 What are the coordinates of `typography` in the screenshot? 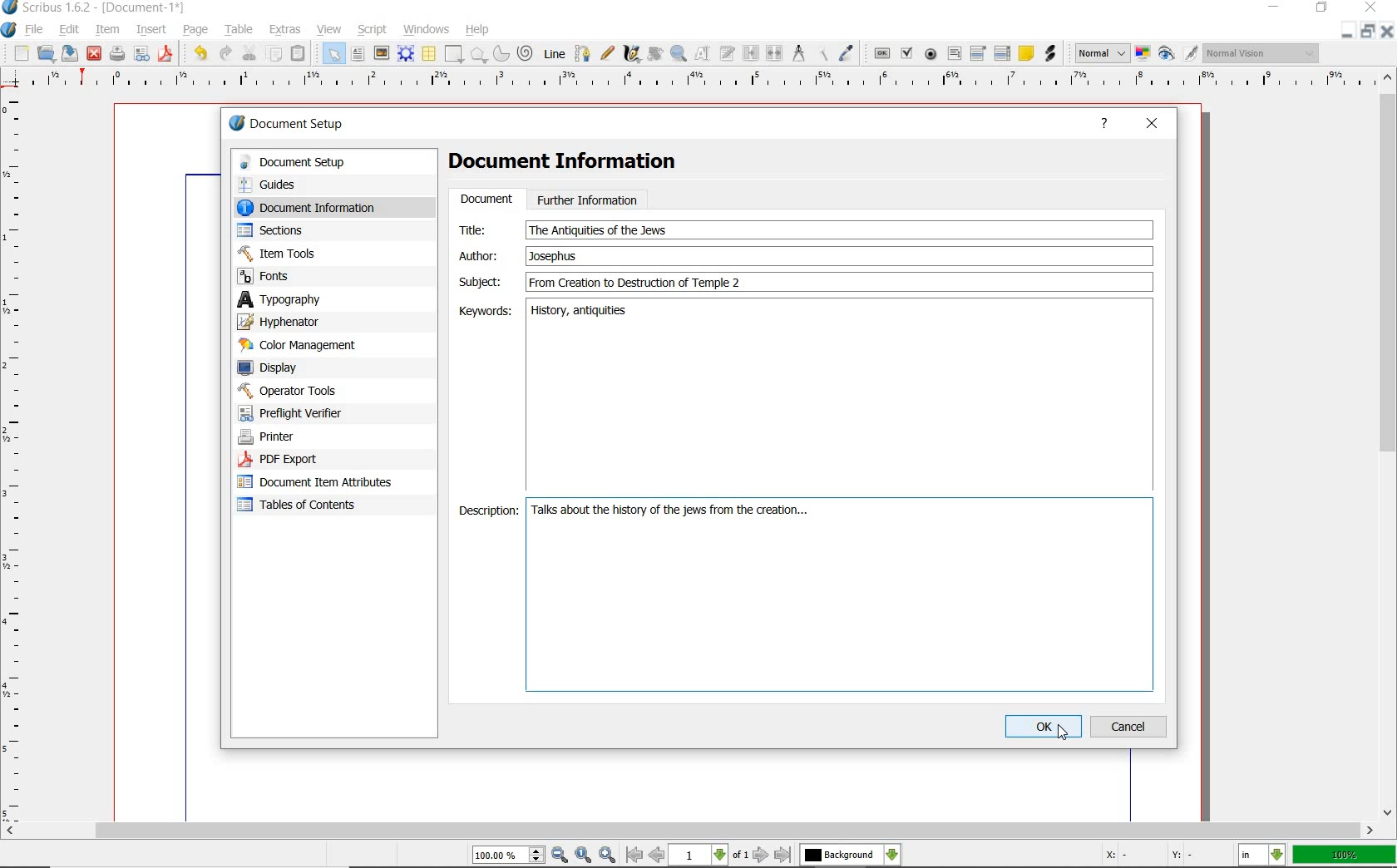 It's located at (303, 299).